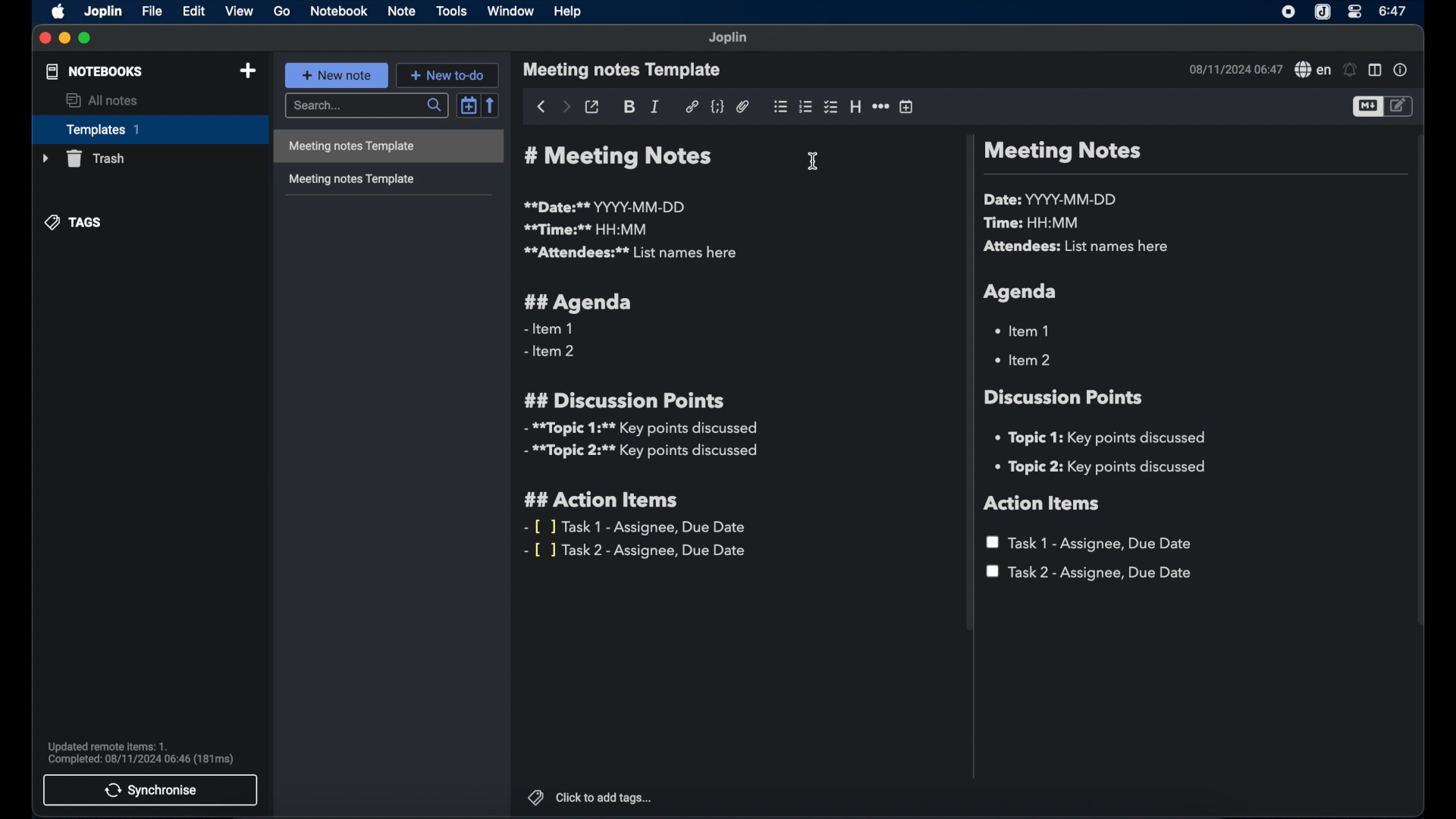 This screenshot has height=819, width=1456. Describe the element at coordinates (152, 790) in the screenshot. I see `synchronise` at that location.